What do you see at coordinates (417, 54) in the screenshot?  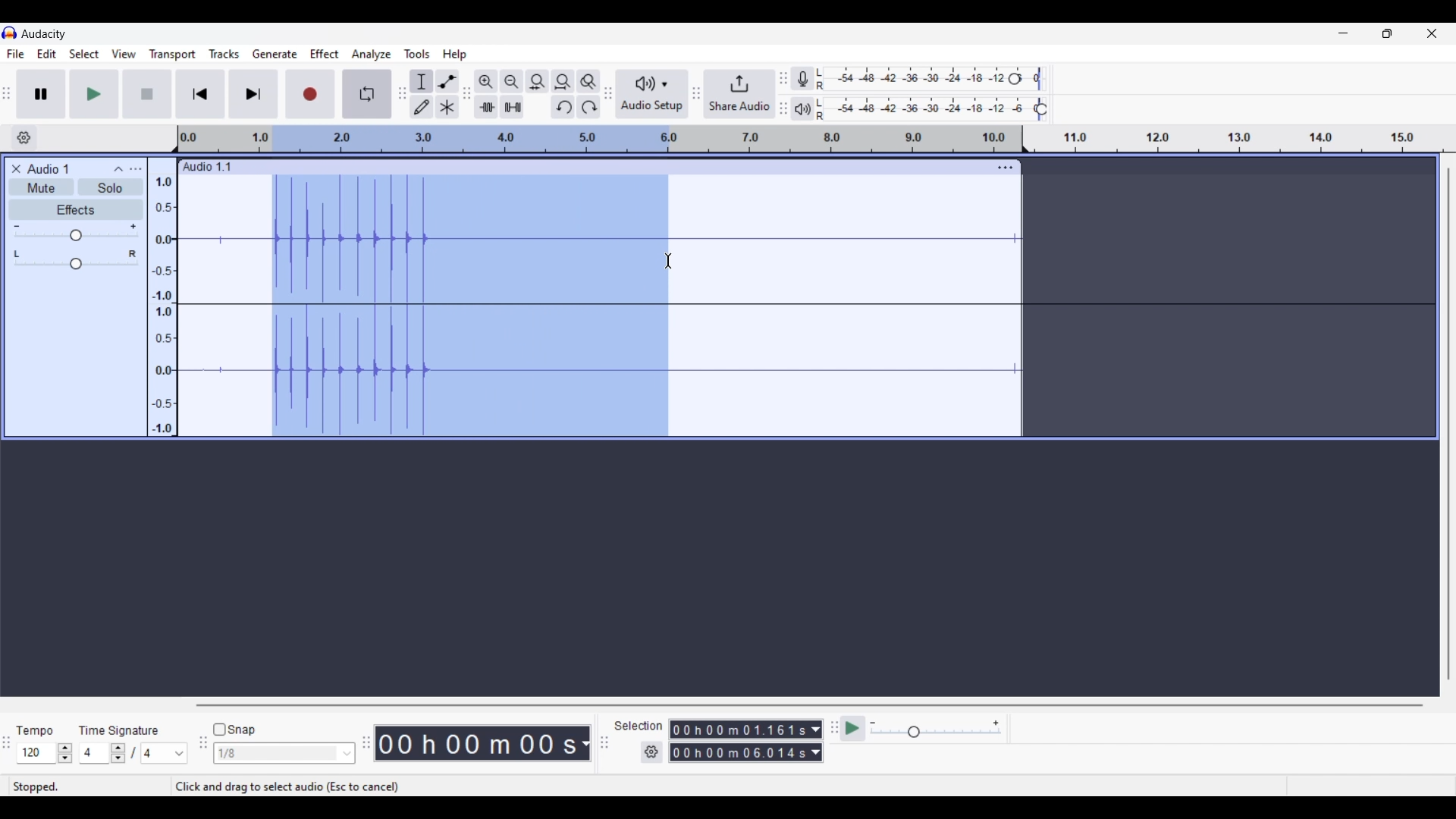 I see `Tools menu` at bounding box center [417, 54].